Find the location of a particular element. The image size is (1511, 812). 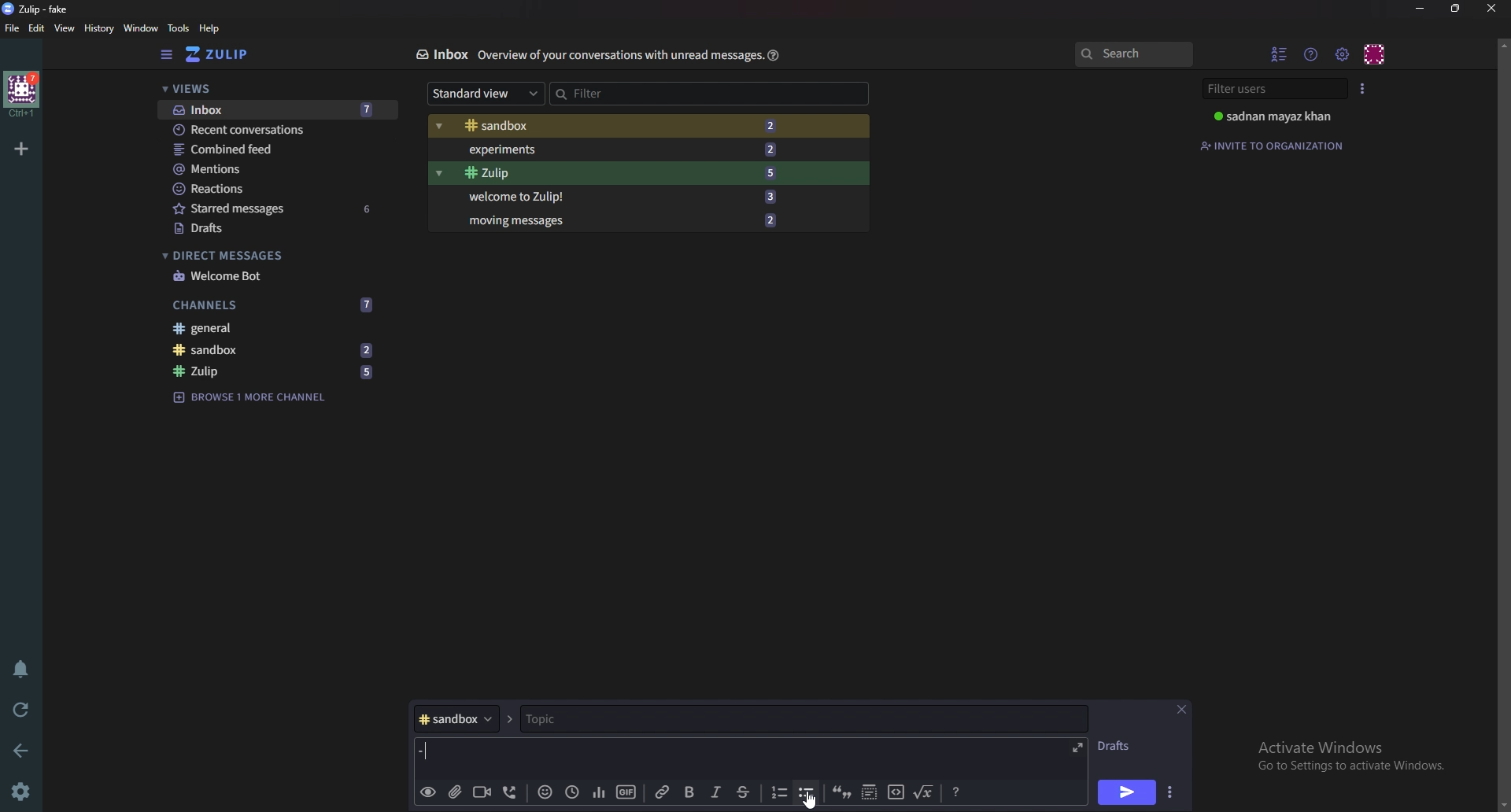

preview is located at coordinates (427, 793).